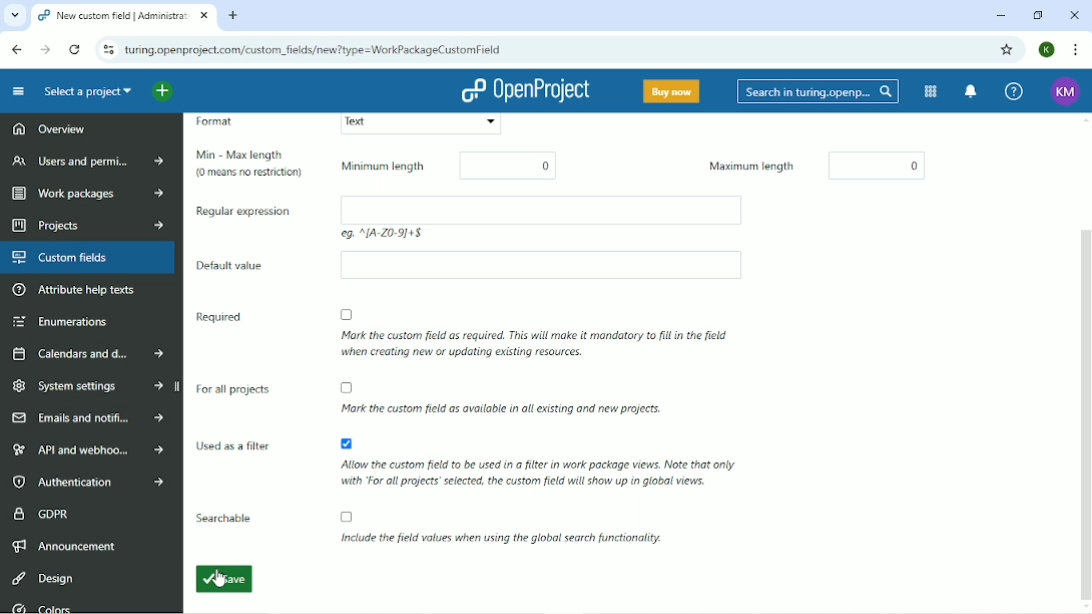 The height and width of the screenshot is (614, 1092). What do you see at coordinates (1075, 15) in the screenshot?
I see `Close` at bounding box center [1075, 15].